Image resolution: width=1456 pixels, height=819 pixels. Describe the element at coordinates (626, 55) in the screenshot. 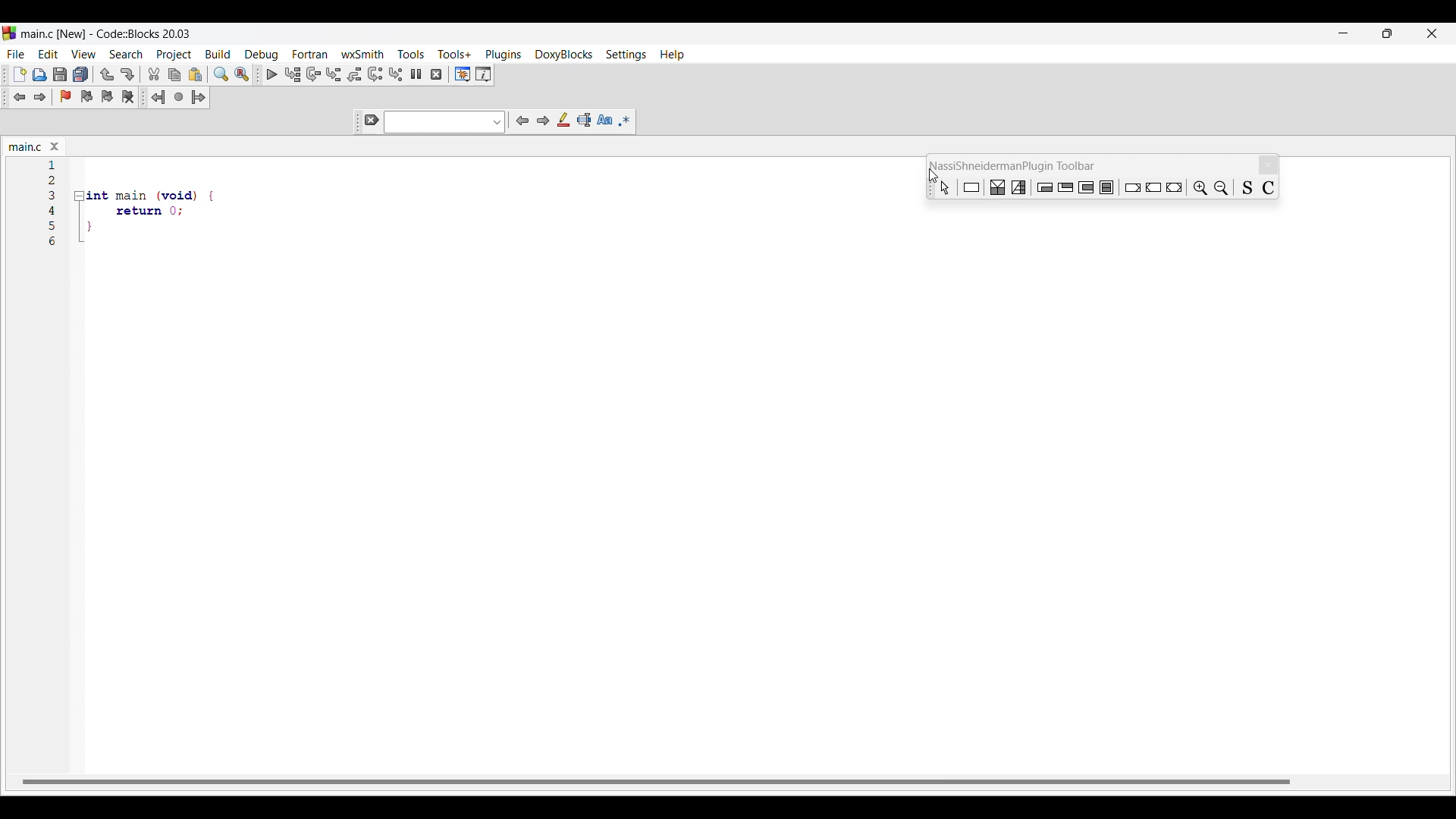

I see `Settings menu` at that location.